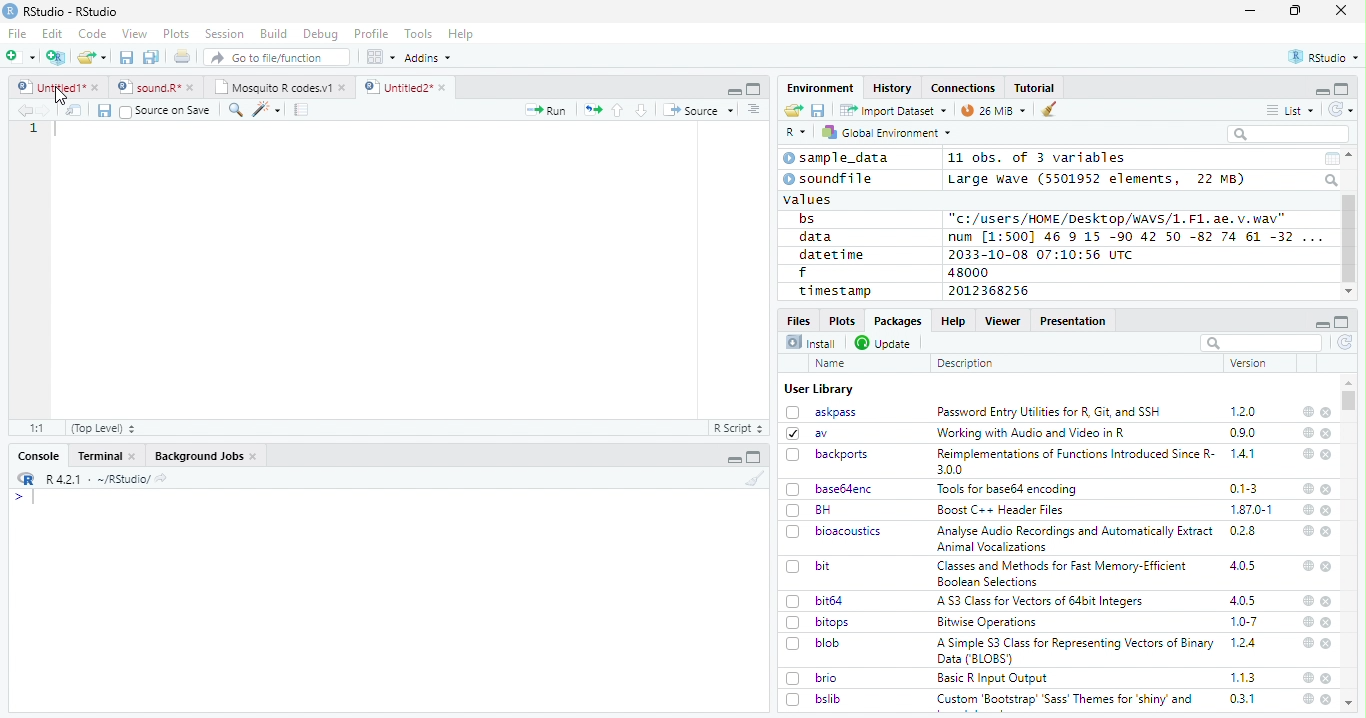 The width and height of the screenshot is (1366, 718). I want to click on Install, so click(811, 342).